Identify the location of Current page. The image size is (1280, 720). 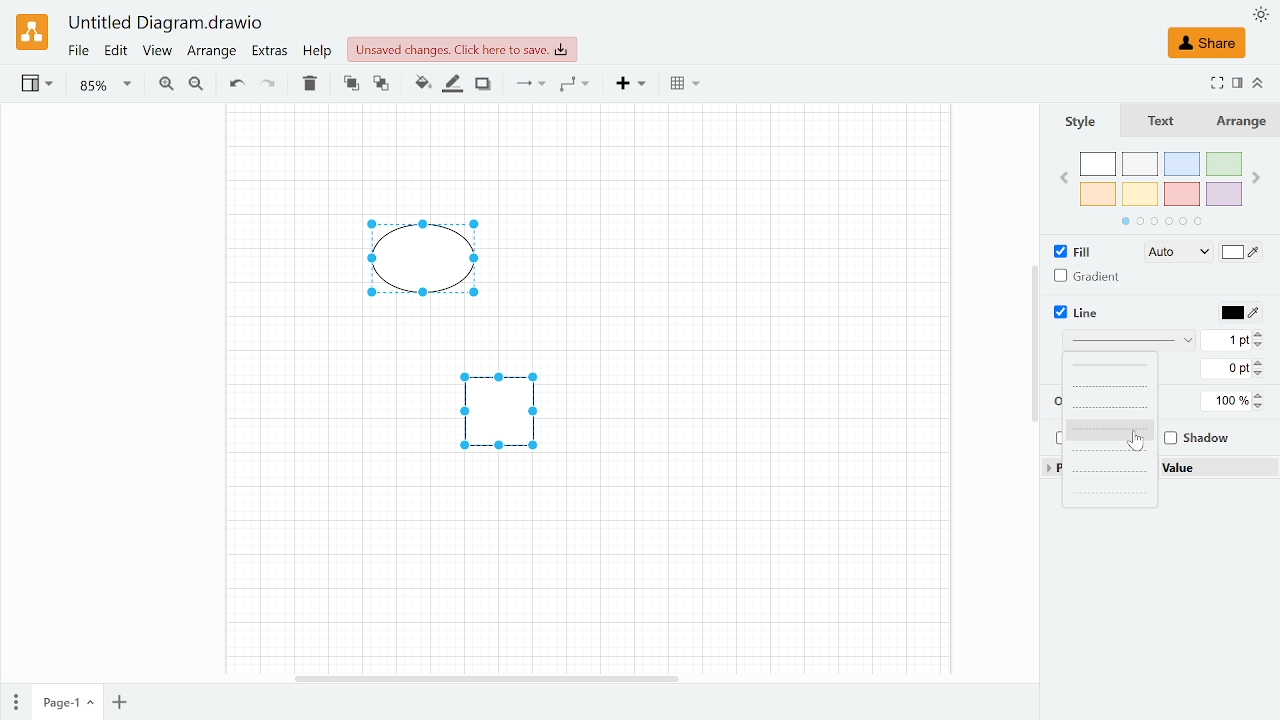
(66, 703).